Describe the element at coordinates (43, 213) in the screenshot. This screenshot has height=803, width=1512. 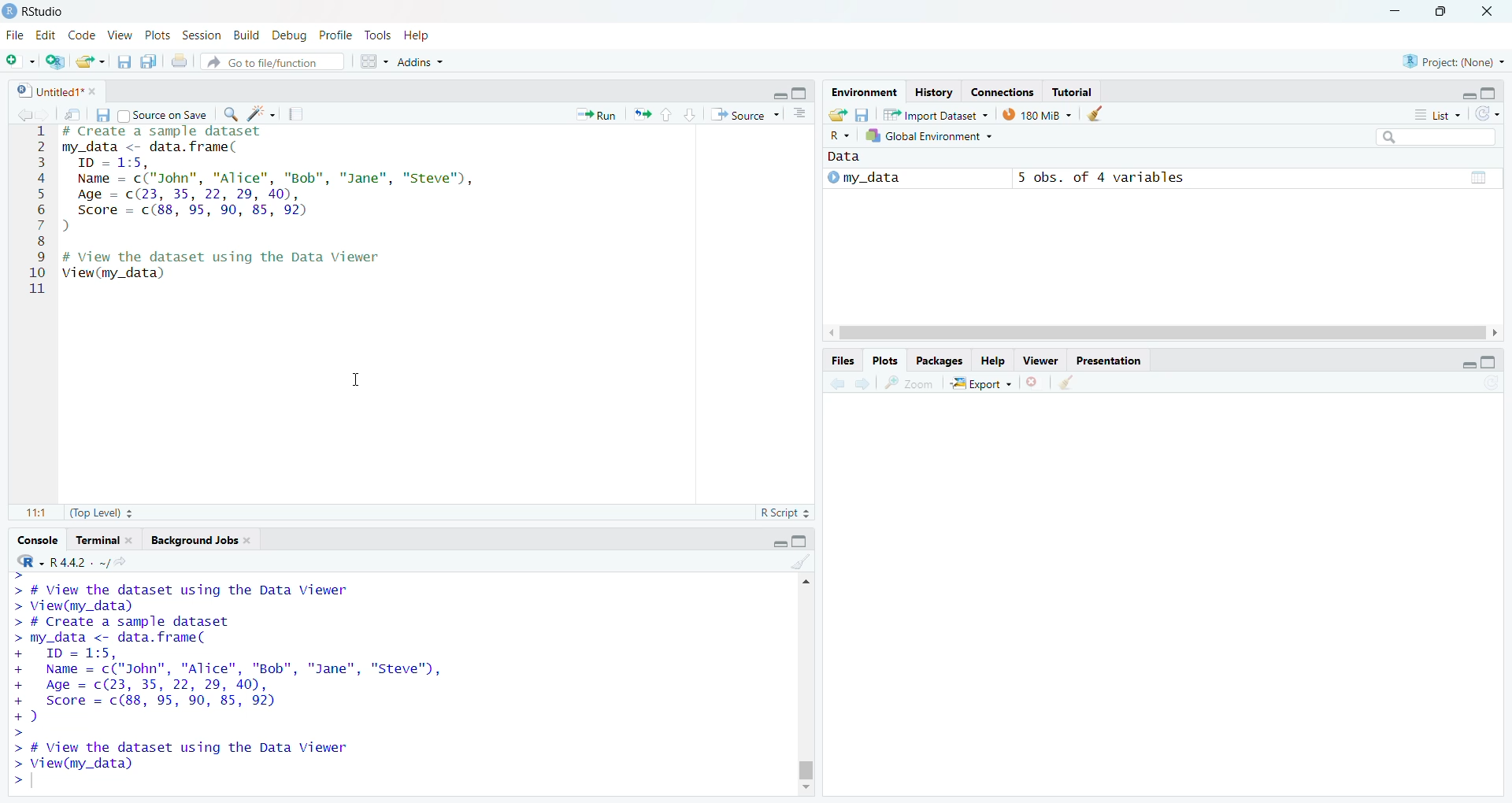
I see `1
2
3
4
5
6
7
8
9
10
11` at that location.